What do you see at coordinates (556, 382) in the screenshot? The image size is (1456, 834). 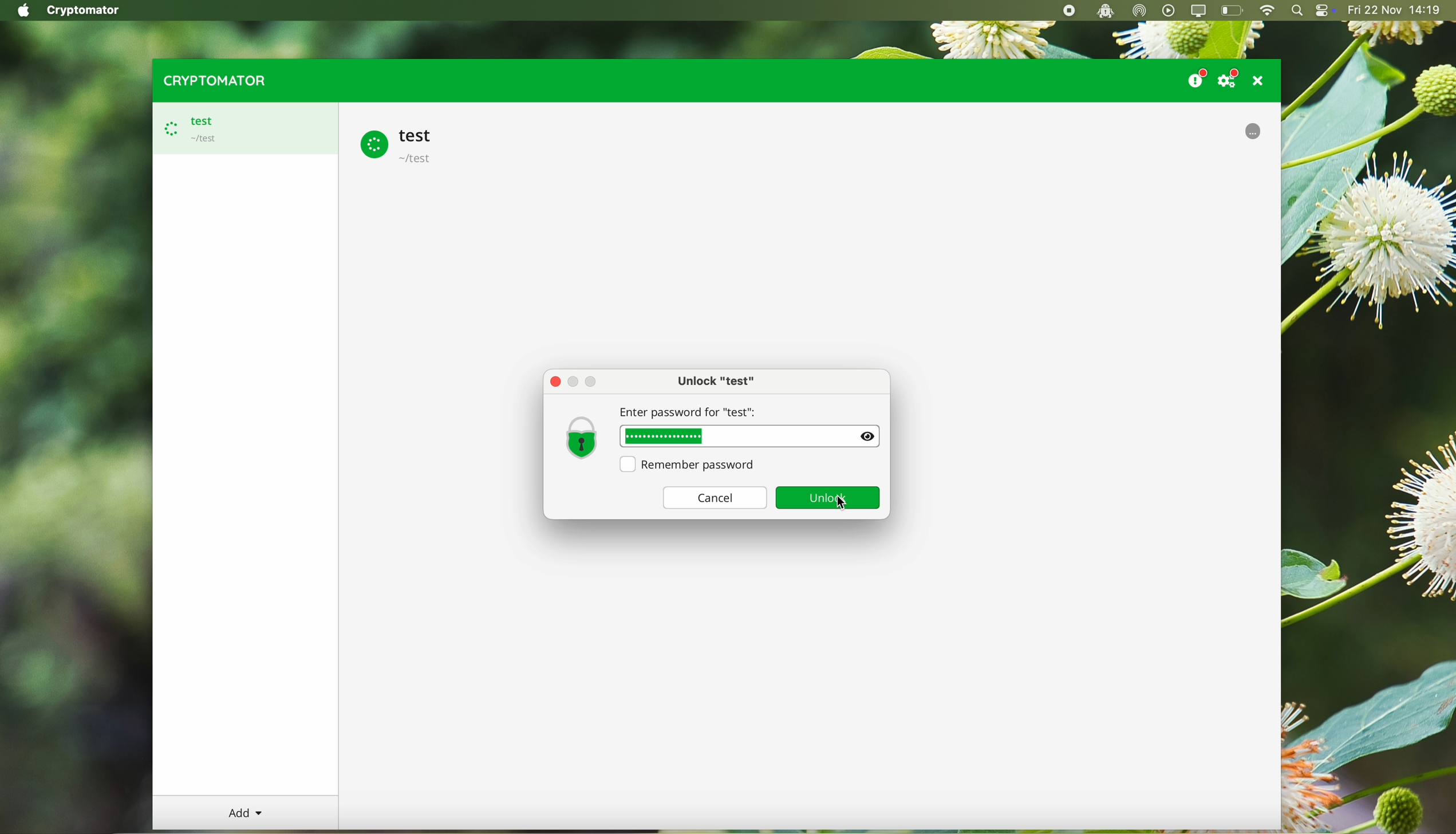 I see `close pop-up` at bounding box center [556, 382].